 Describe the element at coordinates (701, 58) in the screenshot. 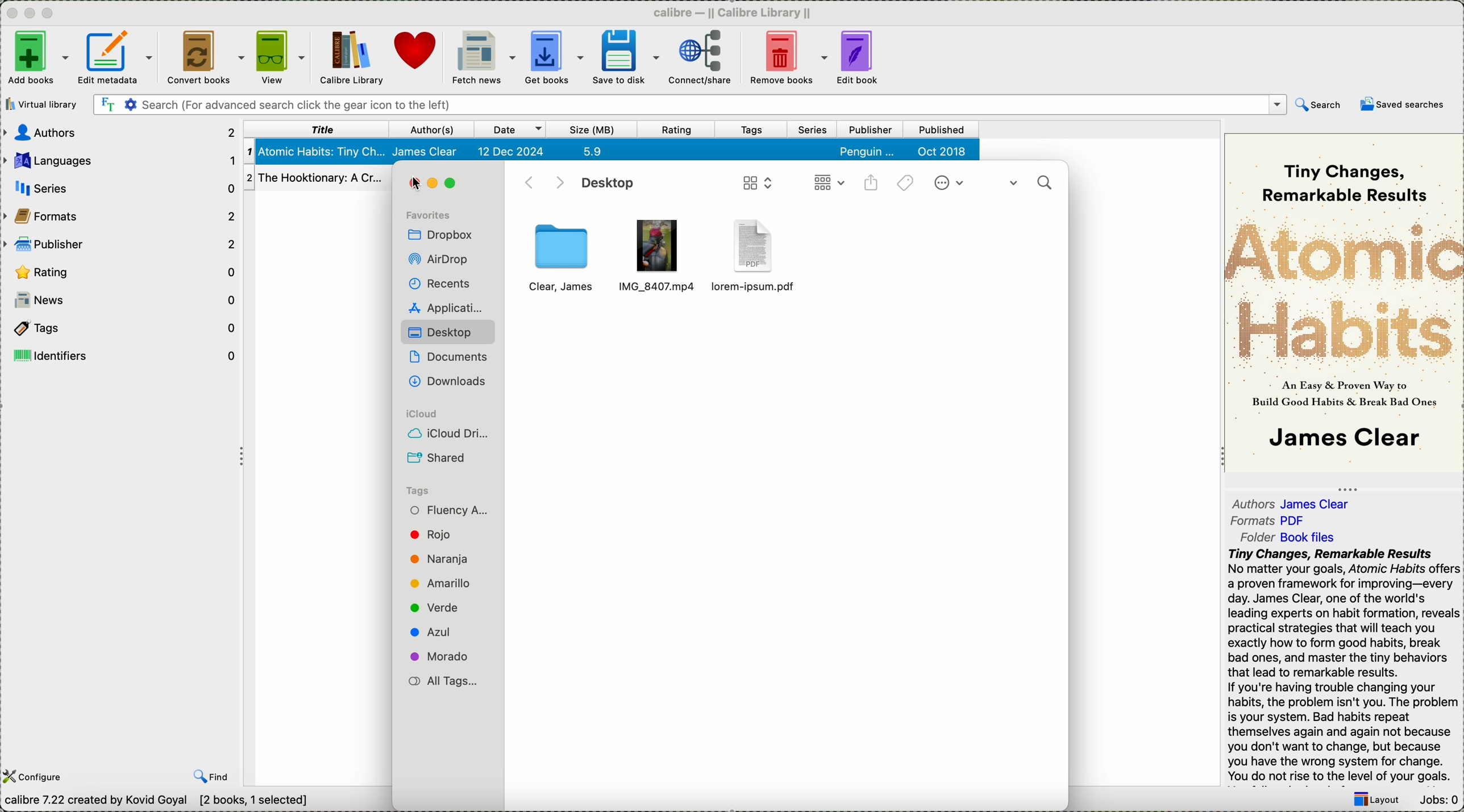

I see `connect/share` at that location.